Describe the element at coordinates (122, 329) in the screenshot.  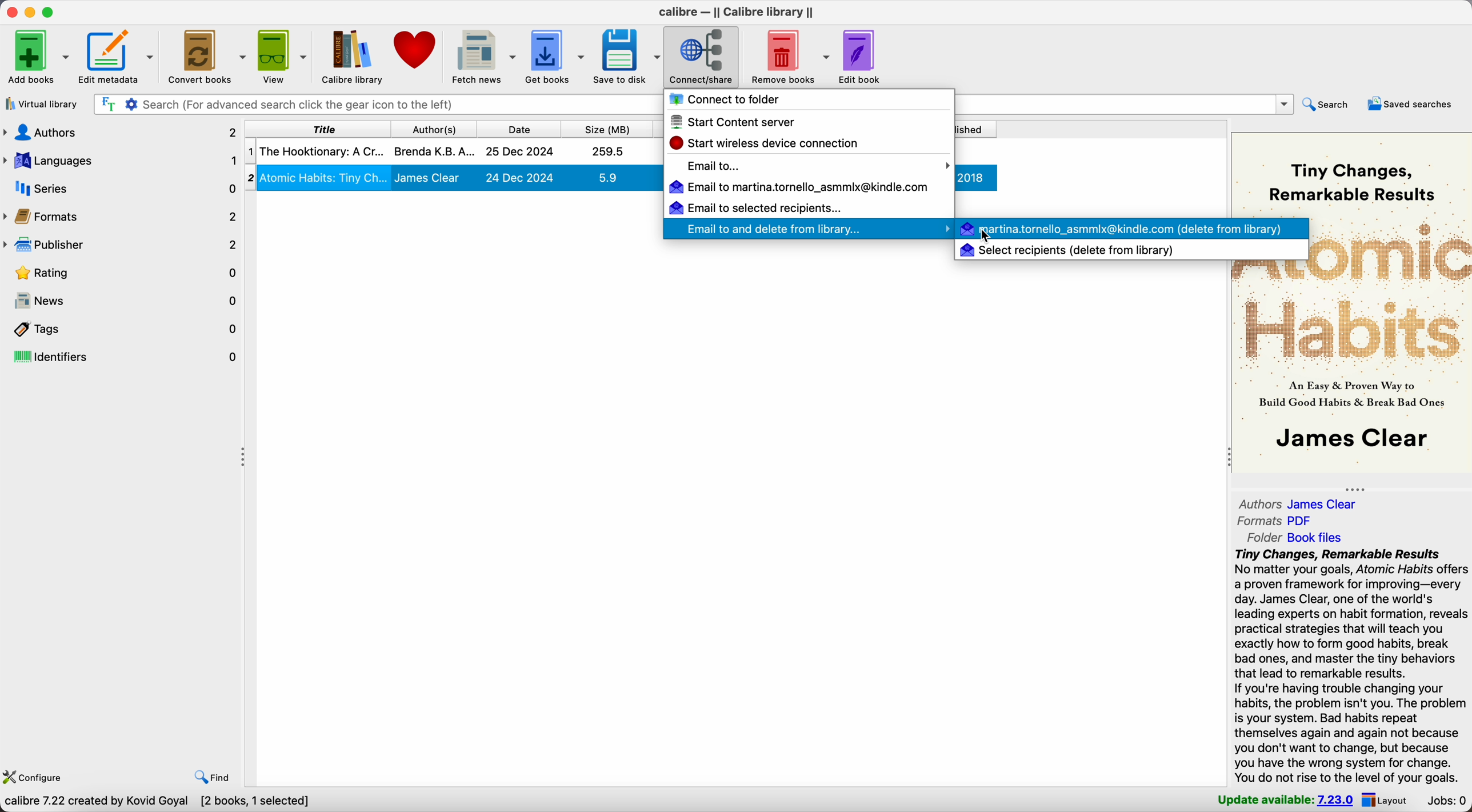
I see `tags` at that location.